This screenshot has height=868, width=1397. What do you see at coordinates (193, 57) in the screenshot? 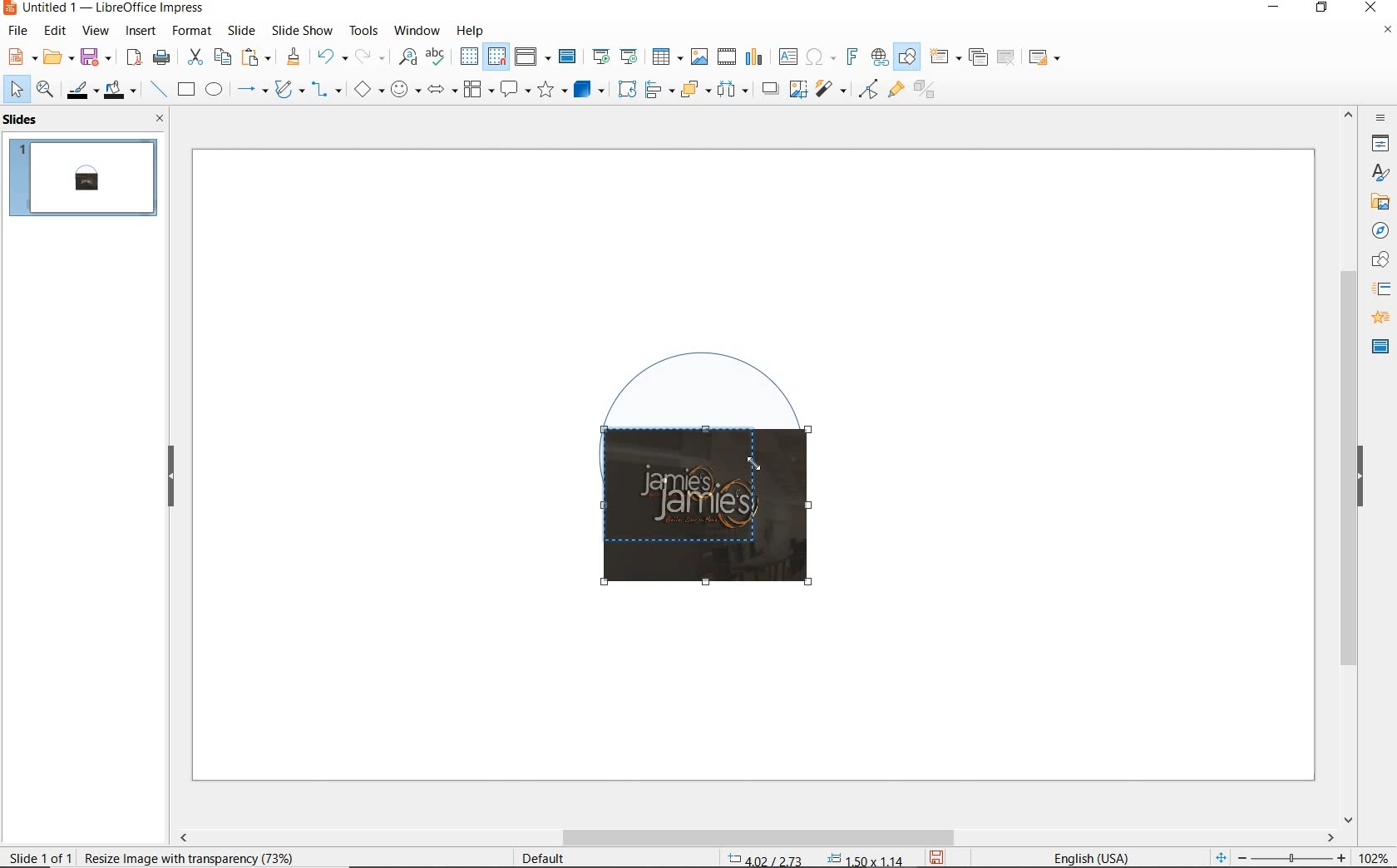
I see `cut` at bounding box center [193, 57].